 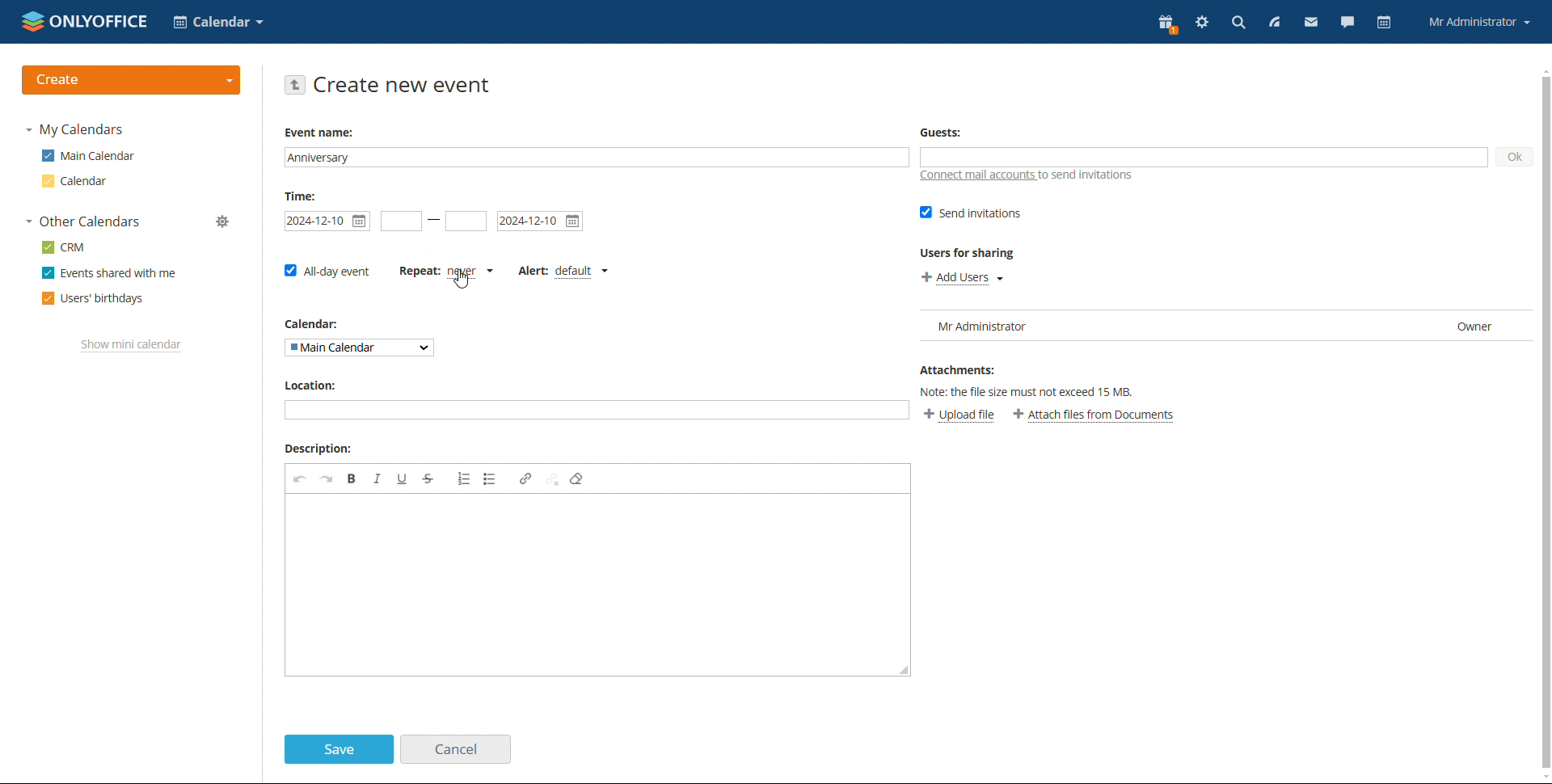 What do you see at coordinates (132, 347) in the screenshot?
I see `show mini calendar` at bounding box center [132, 347].